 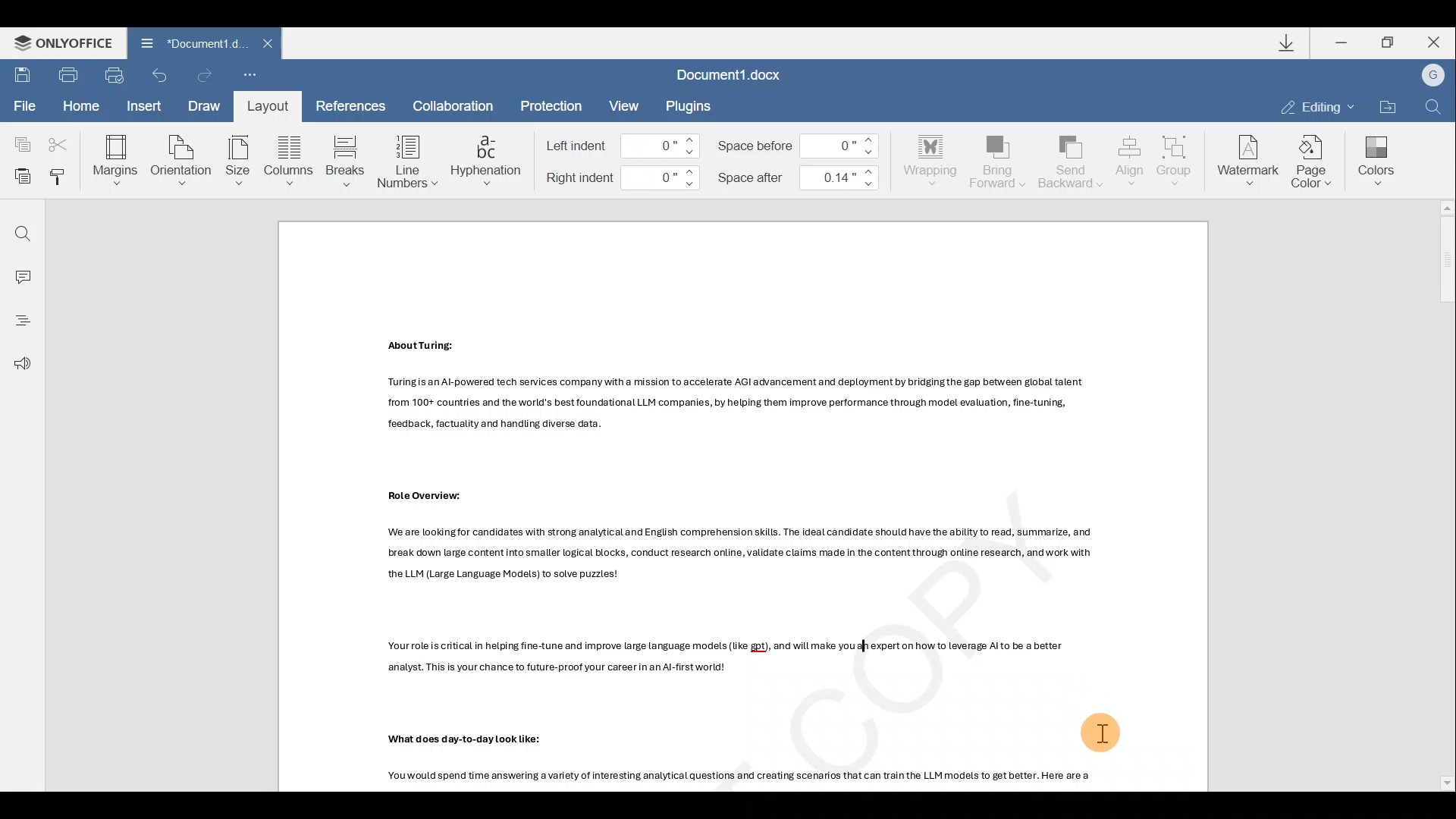 What do you see at coordinates (999, 164) in the screenshot?
I see `Bring forward` at bounding box center [999, 164].